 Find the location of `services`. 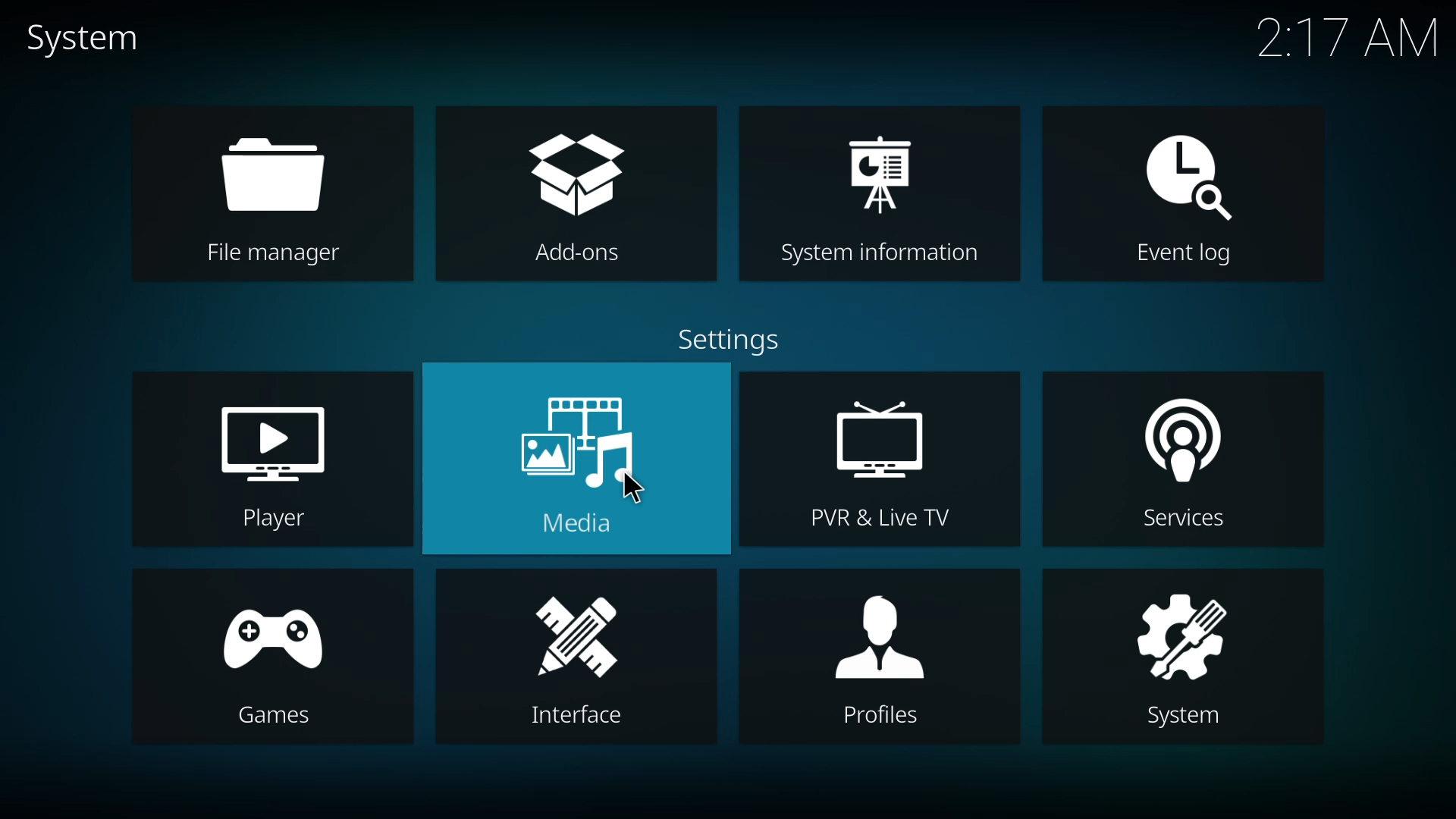

services is located at coordinates (1185, 460).